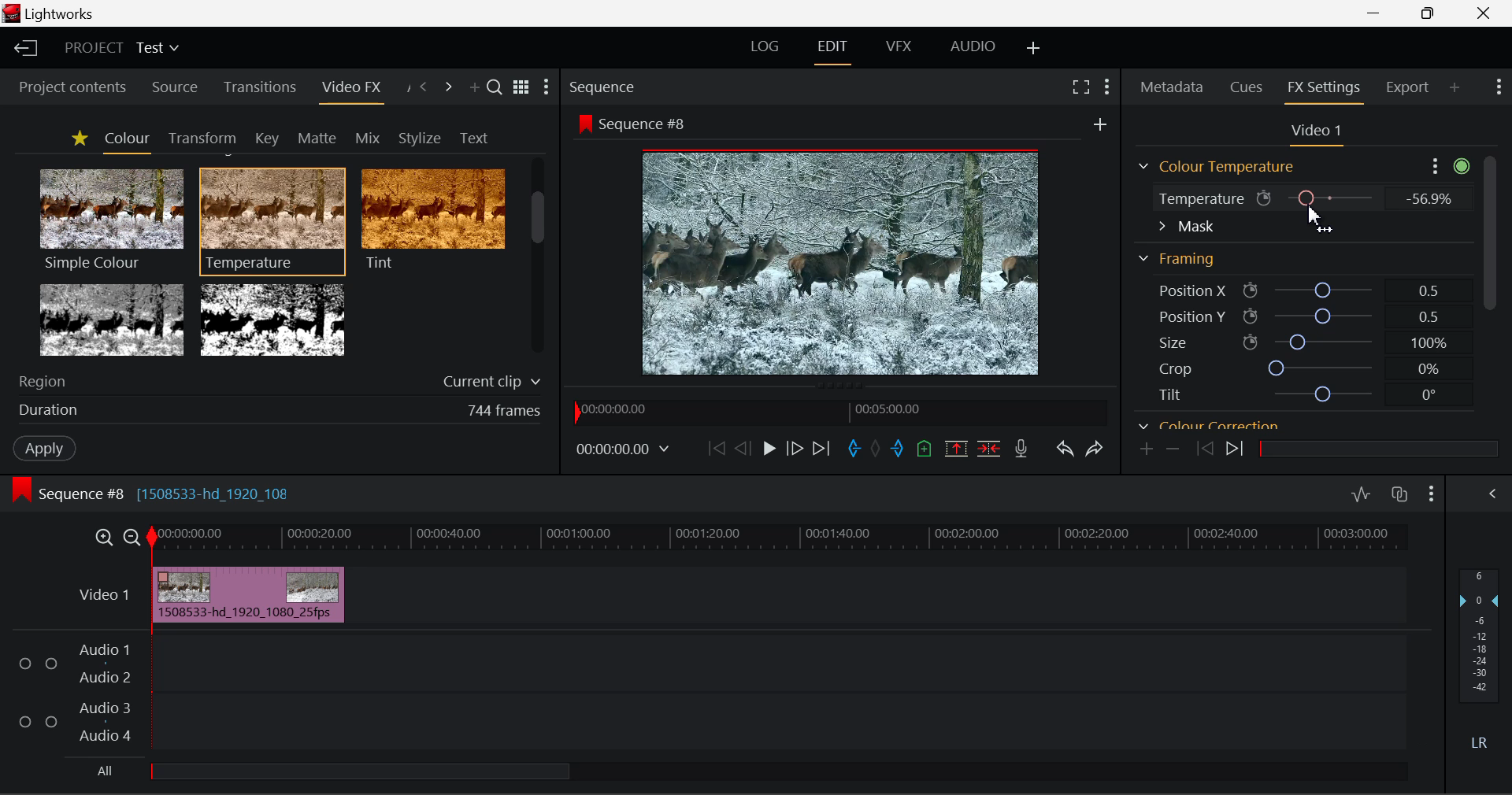 This screenshot has height=795, width=1512. I want to click on Scroll Bar, so click(539, 259).